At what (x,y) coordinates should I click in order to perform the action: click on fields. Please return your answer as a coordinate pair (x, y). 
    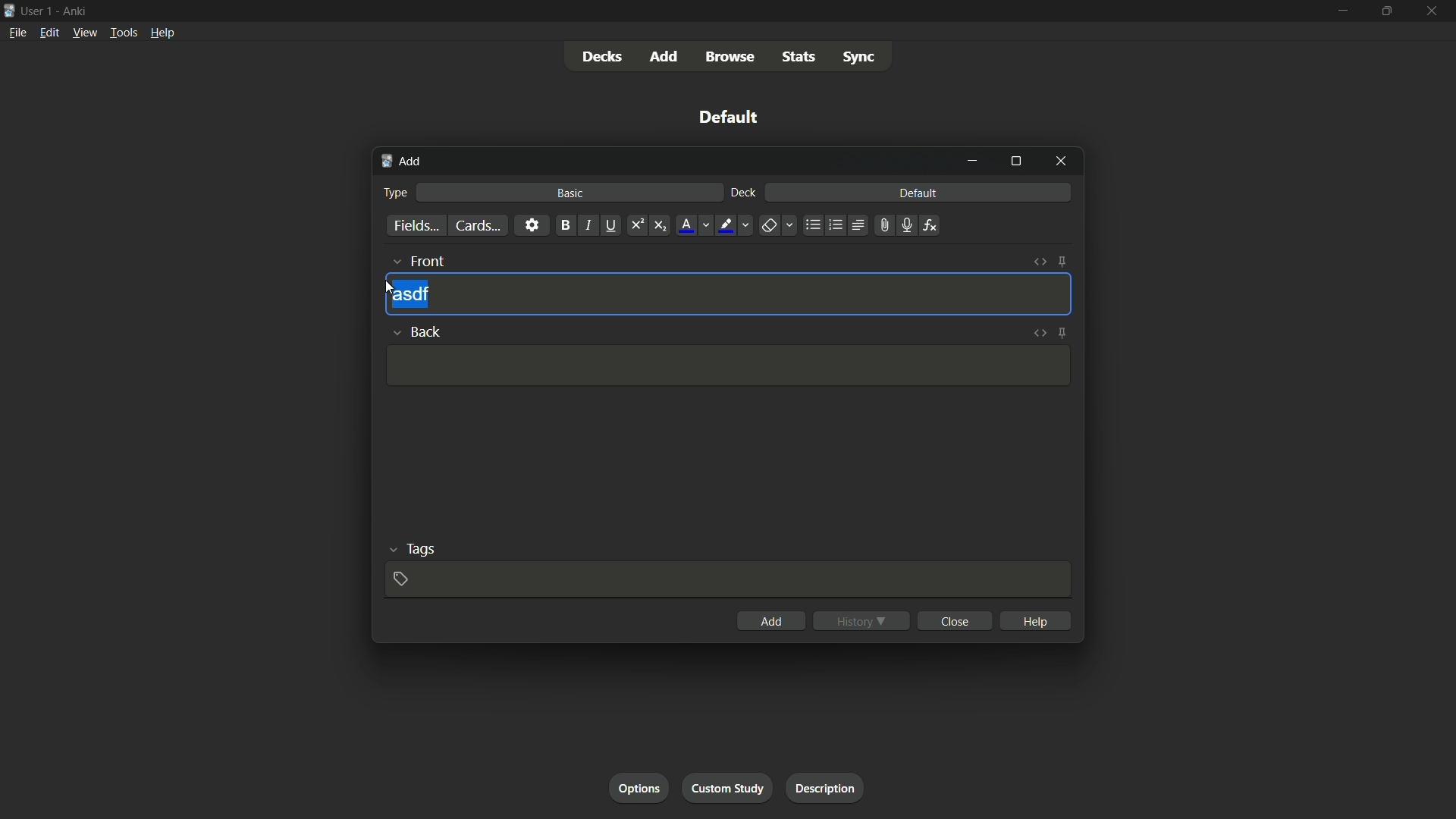
    Looking at the image, I should click on (416, 225).